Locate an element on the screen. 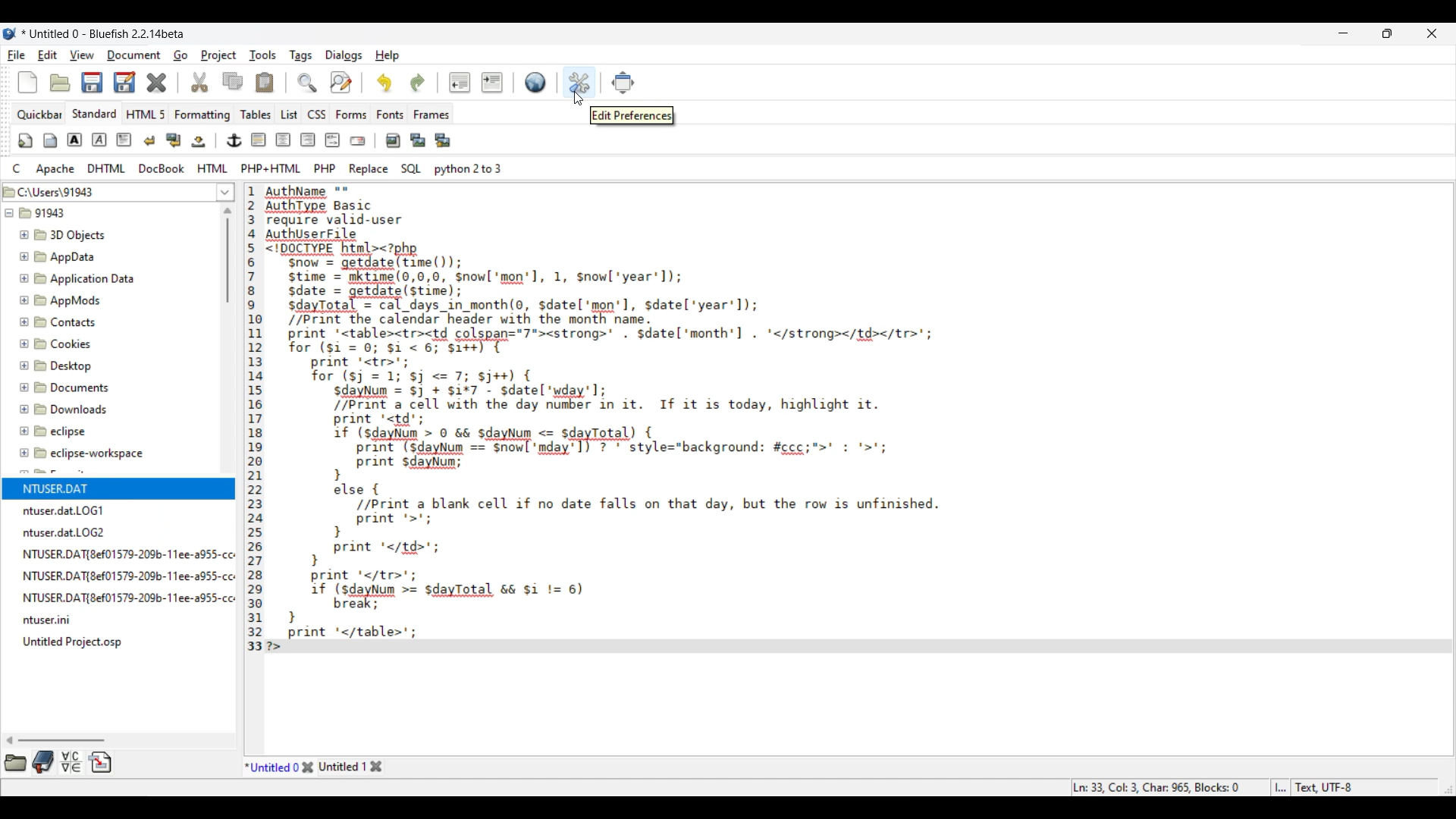 Image resolution: width=1456 pixels, height=819 pixels. Help menu is located at coordinates (388, 56).